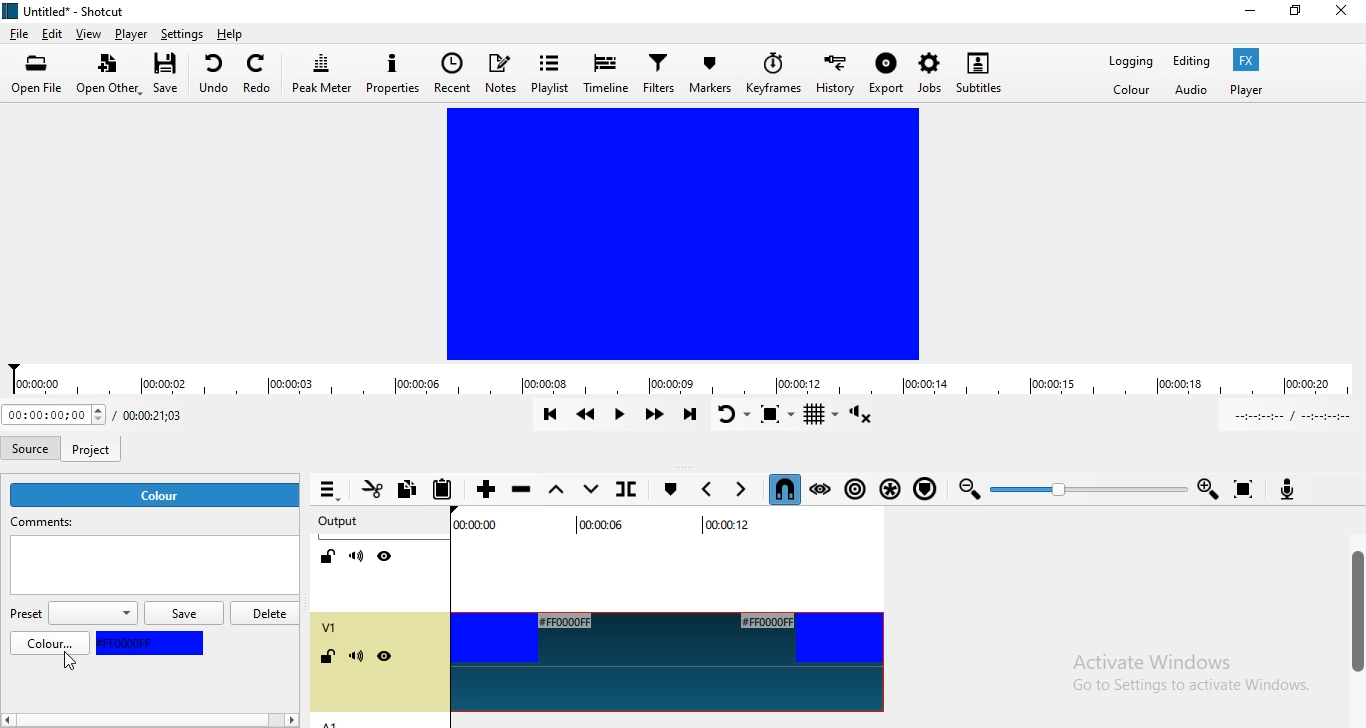 The image size is (1366, 728). What do you see at coordinates (1355, 615) in the screenshot?
I see `scroll bar` at bounding box center [1355, 615].